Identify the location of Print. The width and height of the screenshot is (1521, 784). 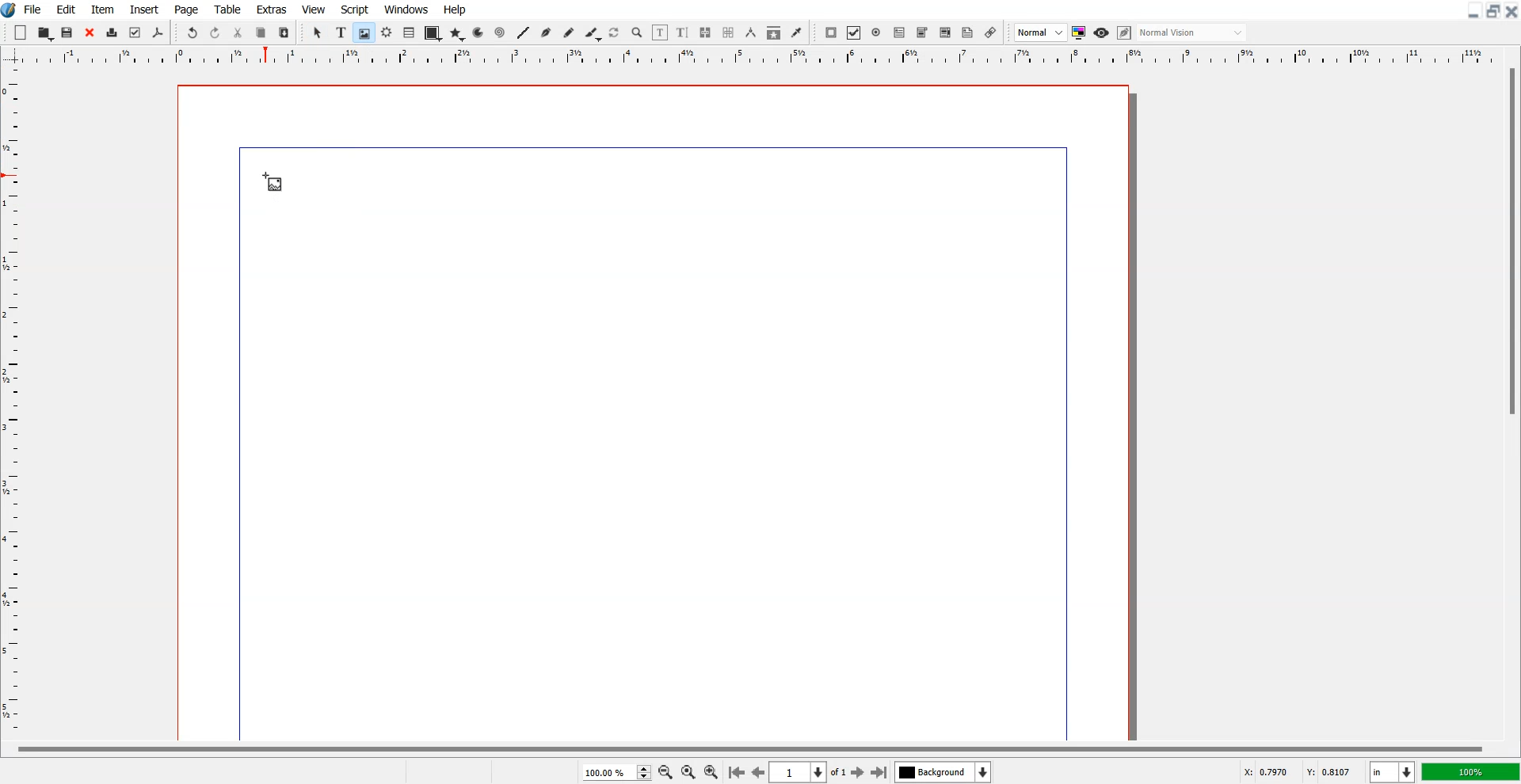
(112, 32).